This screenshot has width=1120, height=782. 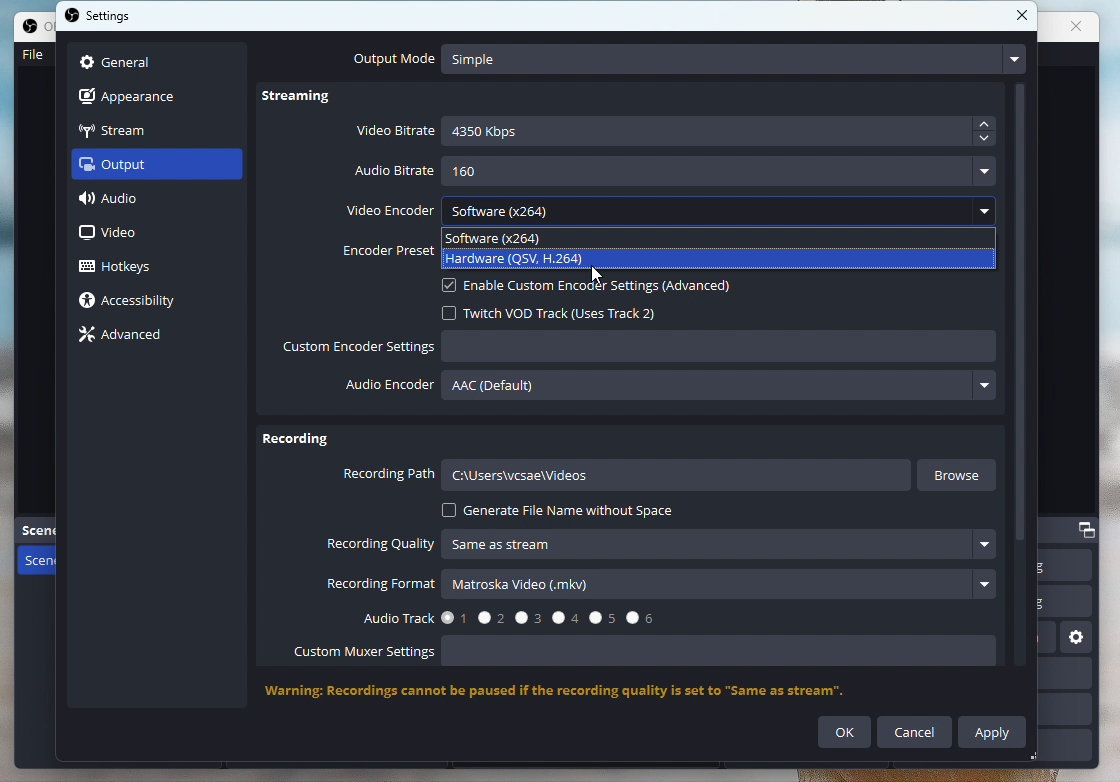 What do you see at coordinates (661, 586) in the screenshot?
I see `Recording Format` at bounding box center [661, 586].